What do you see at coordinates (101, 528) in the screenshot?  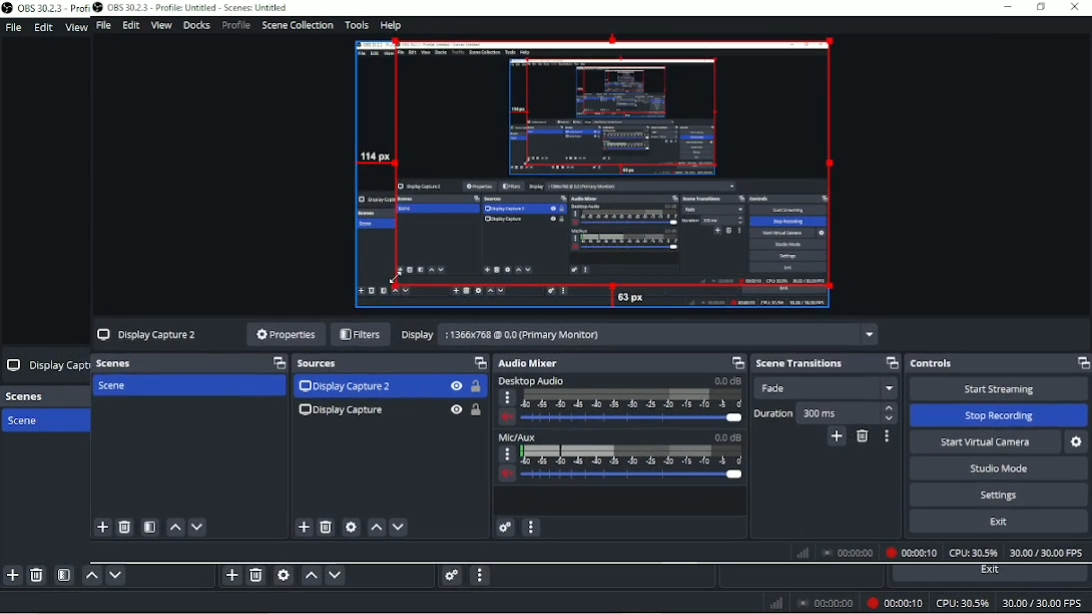 I see `add` at bounding box center [101, 528].